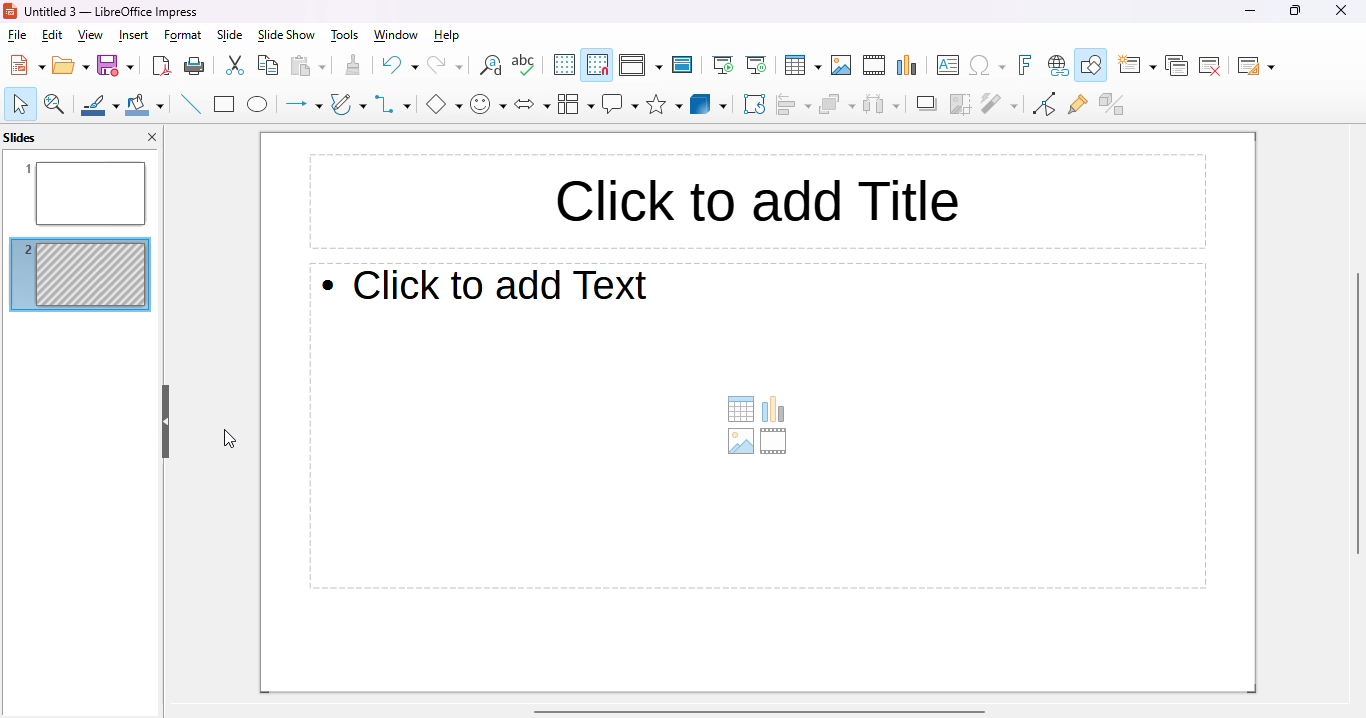  I want to click on new slide, so click(1138, 66).